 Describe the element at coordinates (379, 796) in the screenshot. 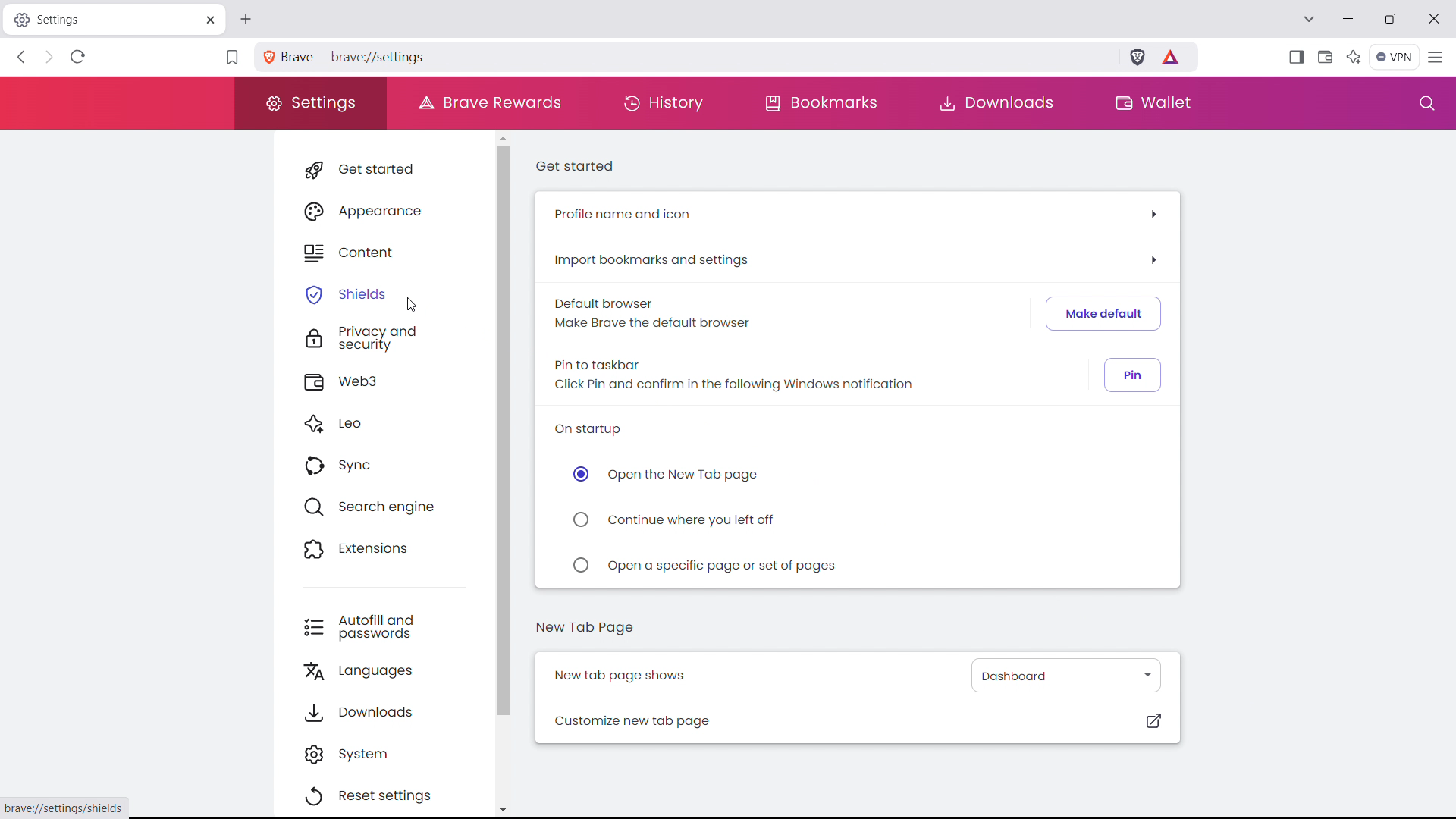

I see `reset settings` at that location.